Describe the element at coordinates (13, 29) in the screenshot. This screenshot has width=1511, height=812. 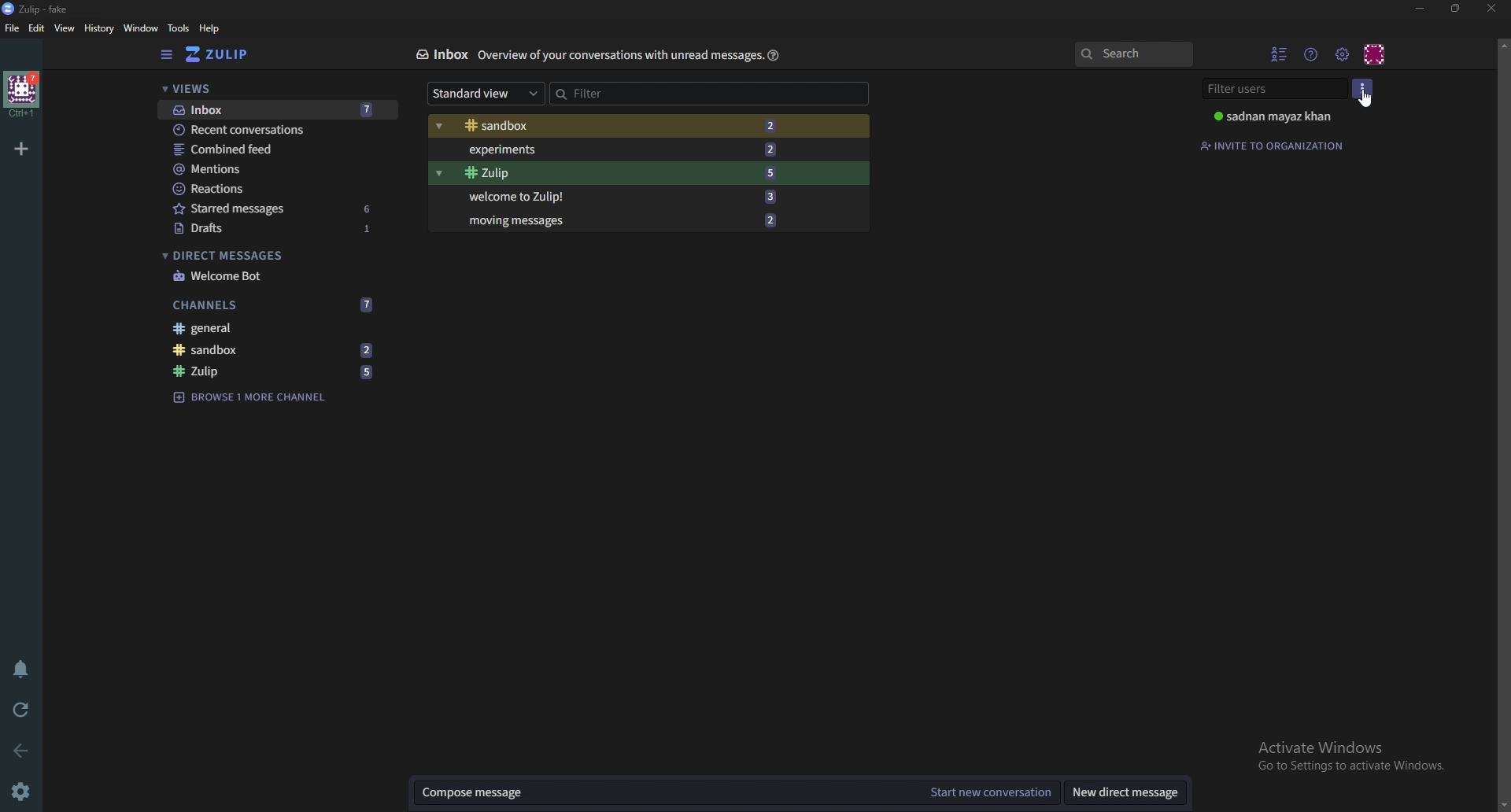
I see `File` at that location.